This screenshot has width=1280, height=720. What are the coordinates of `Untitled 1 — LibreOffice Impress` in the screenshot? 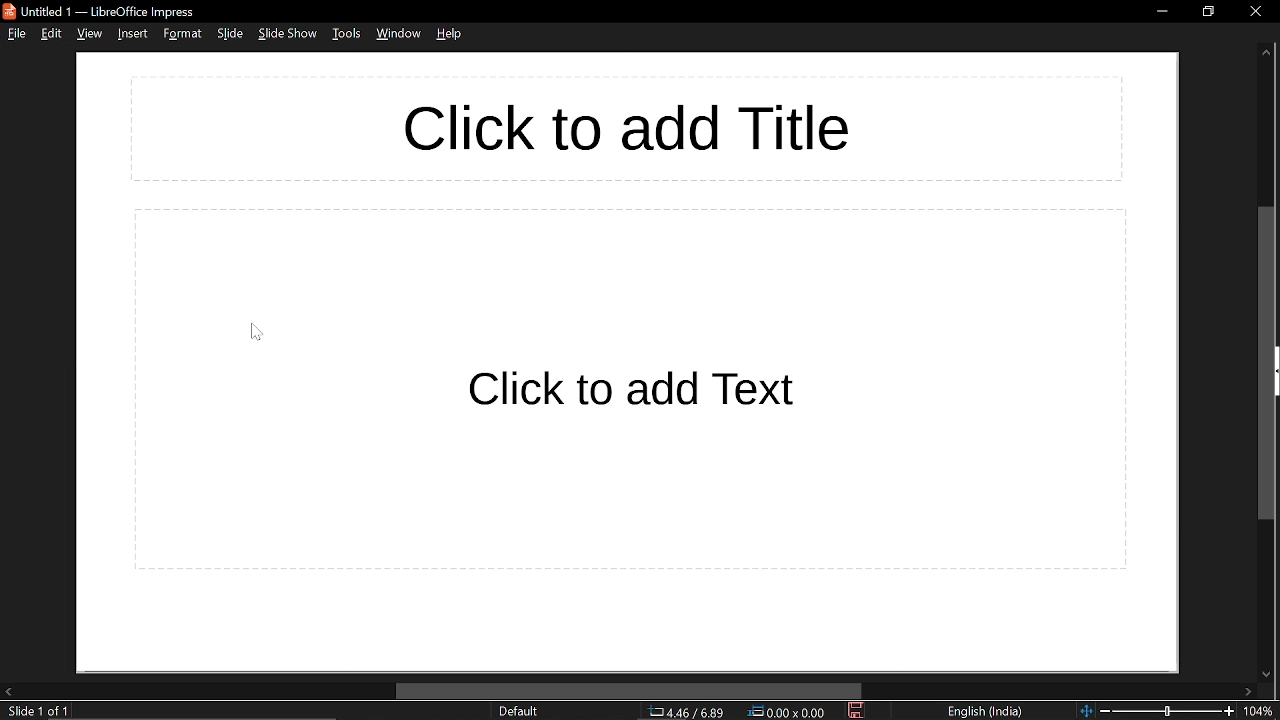 It's located at (98, 10).